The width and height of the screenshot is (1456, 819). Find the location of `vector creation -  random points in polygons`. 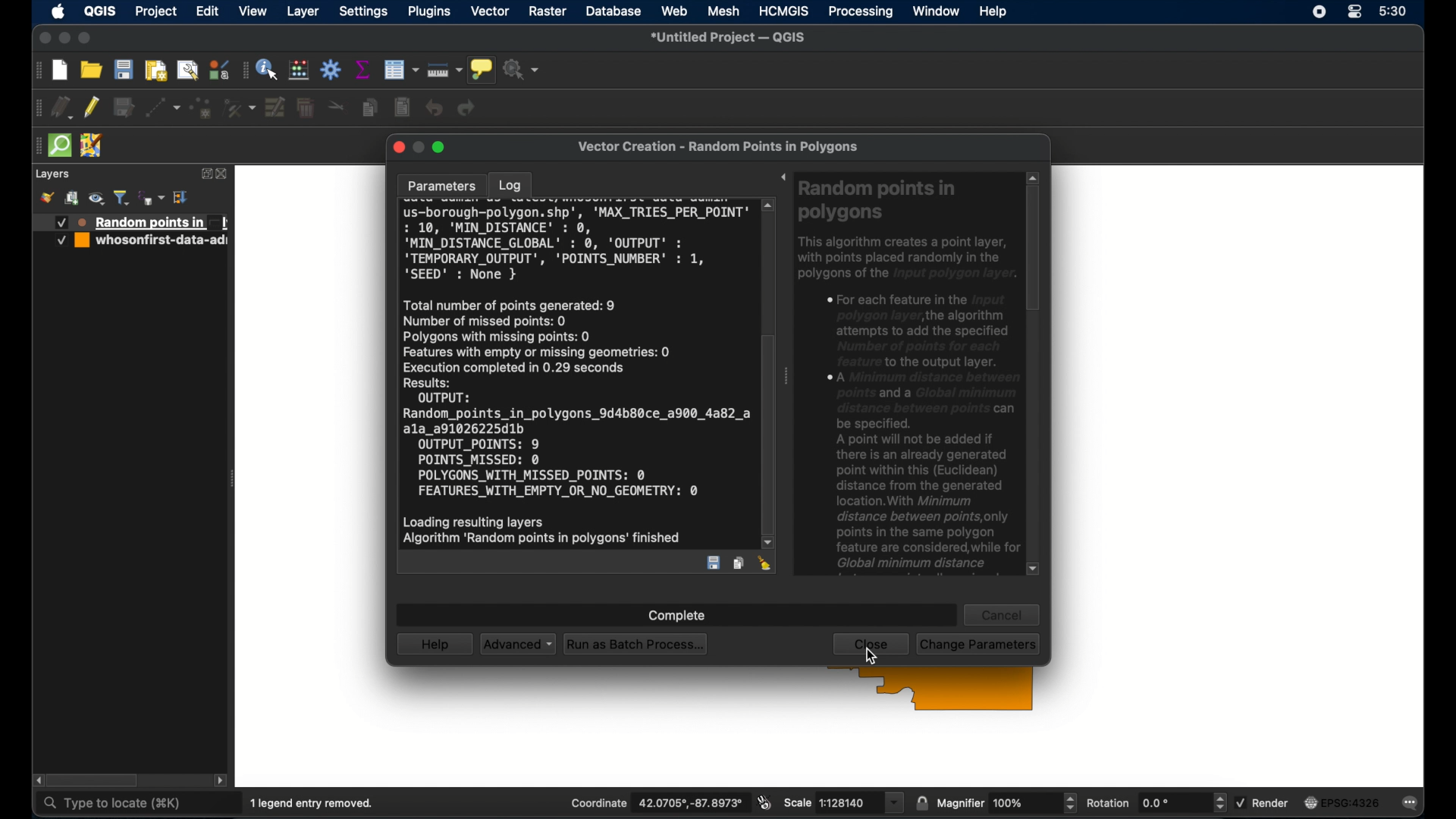

vector creation -  random points in polygons is located at coordinates (718, 146).